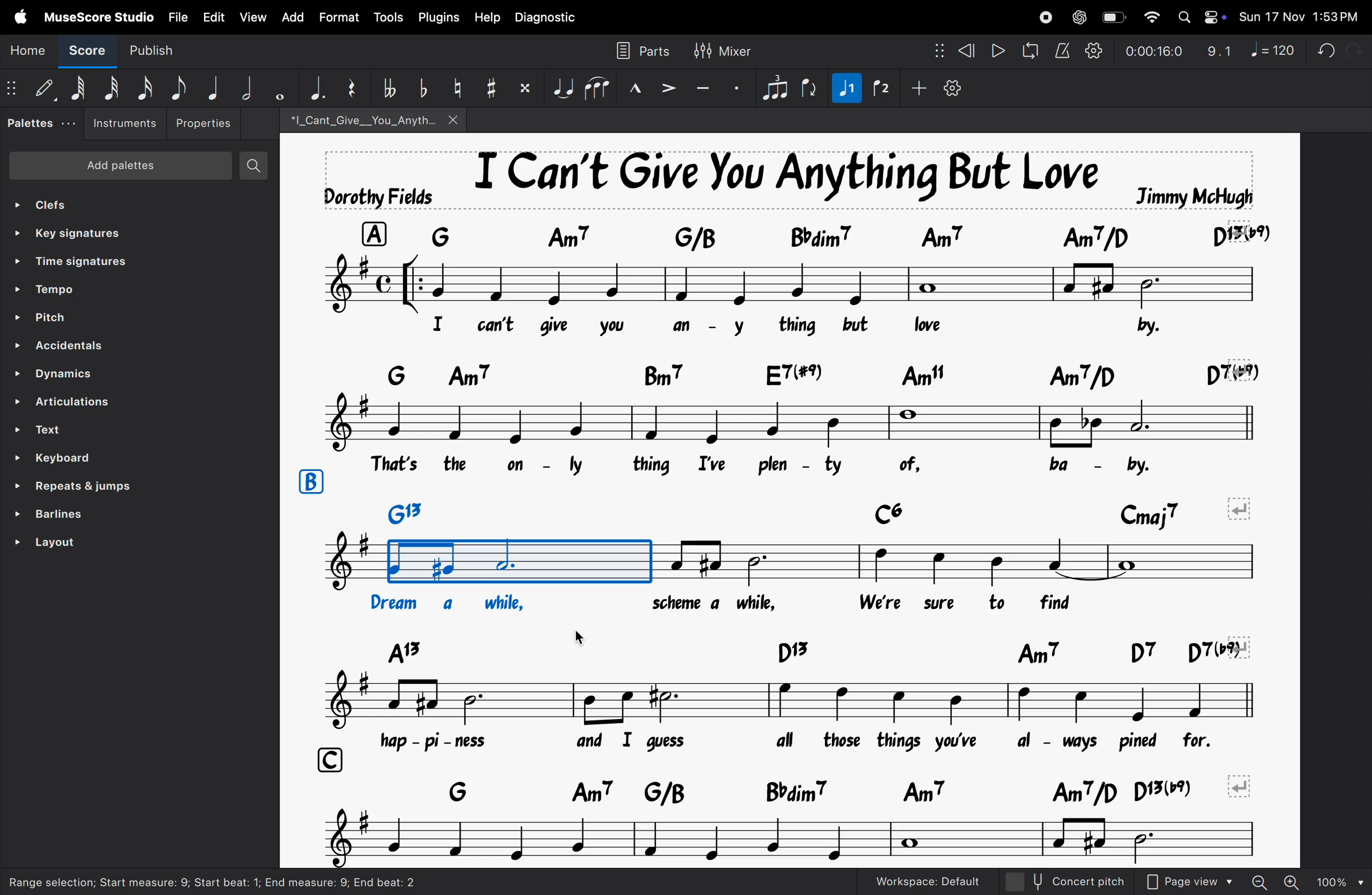  Describe the element at coordinates (61, 373) in the screenshot. I see `Dynamics` at that location.